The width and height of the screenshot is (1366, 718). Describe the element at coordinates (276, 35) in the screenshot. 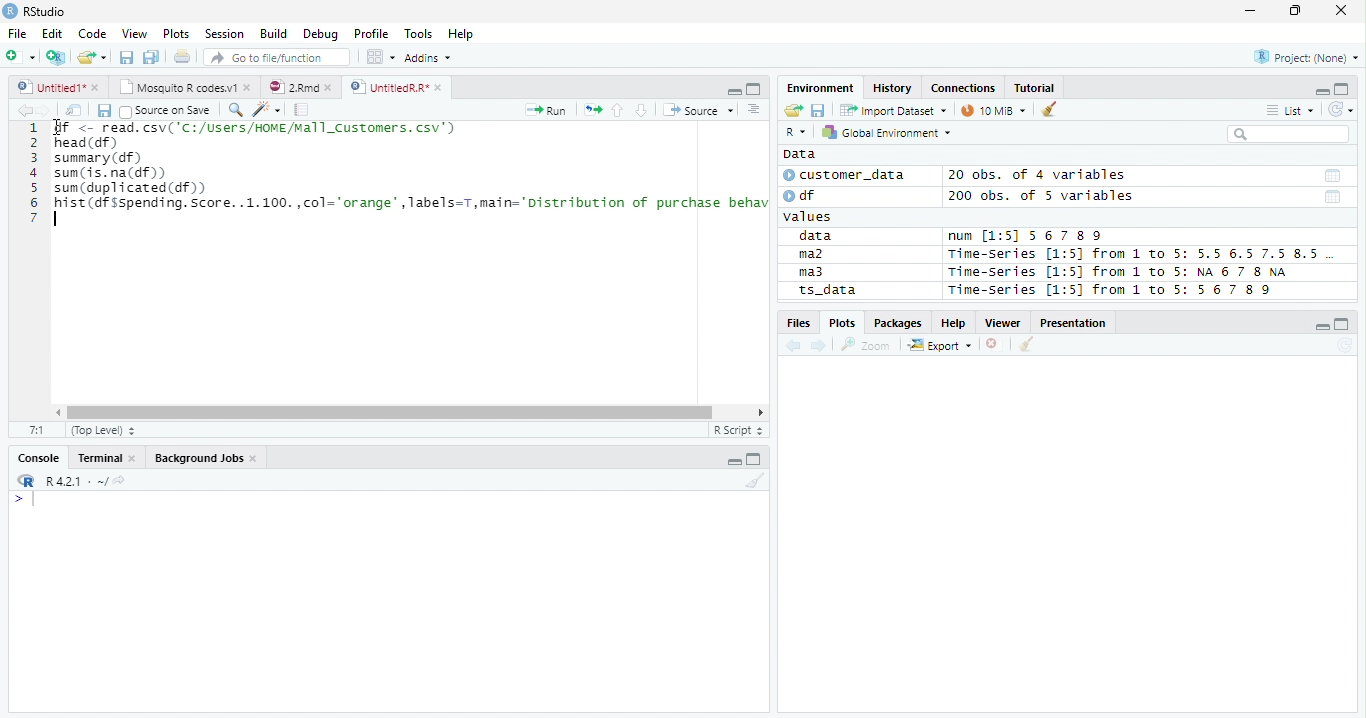

I see `Build` at that location.